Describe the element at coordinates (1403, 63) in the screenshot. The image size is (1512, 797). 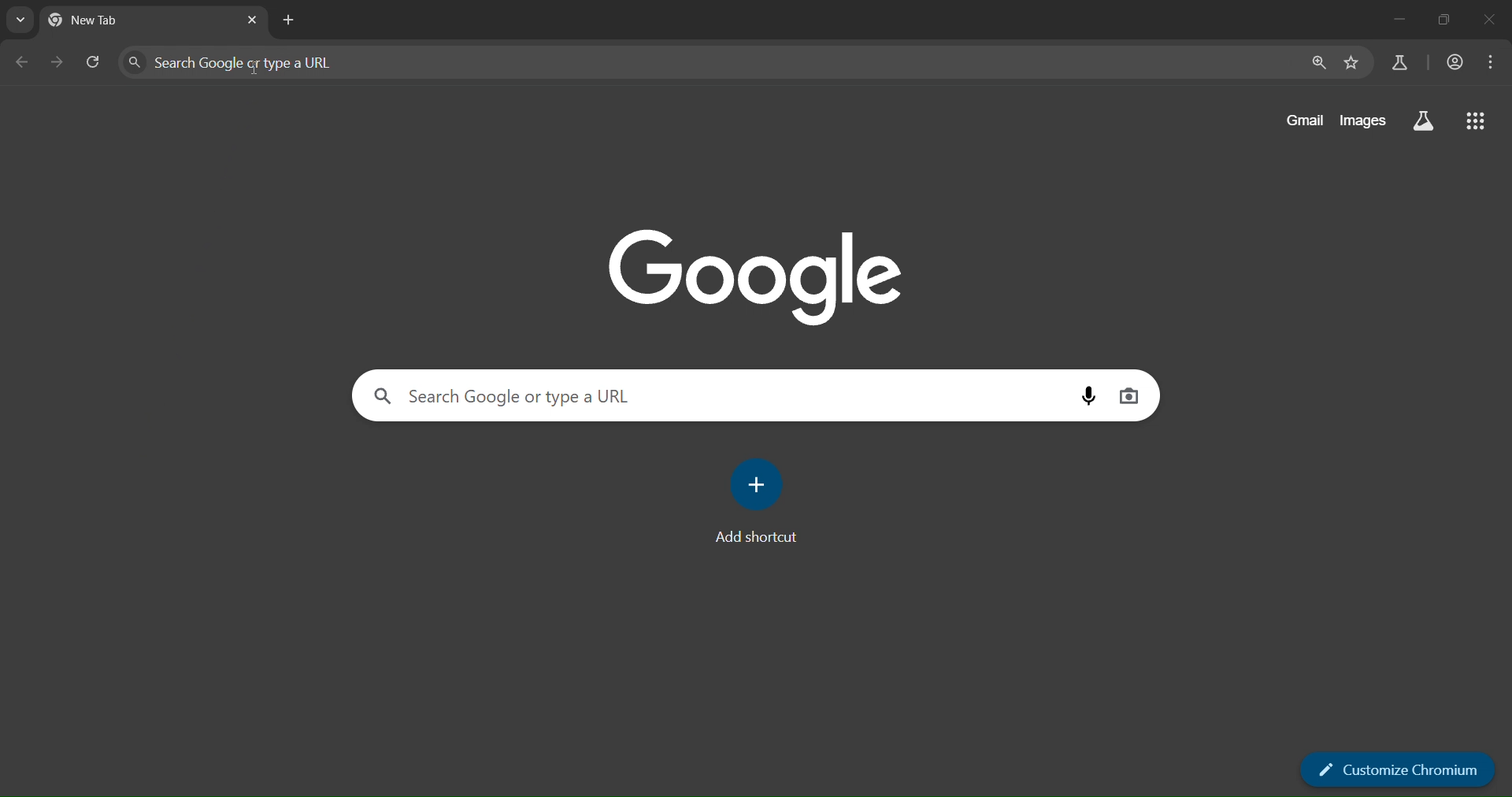
I see `search labs` at that location.